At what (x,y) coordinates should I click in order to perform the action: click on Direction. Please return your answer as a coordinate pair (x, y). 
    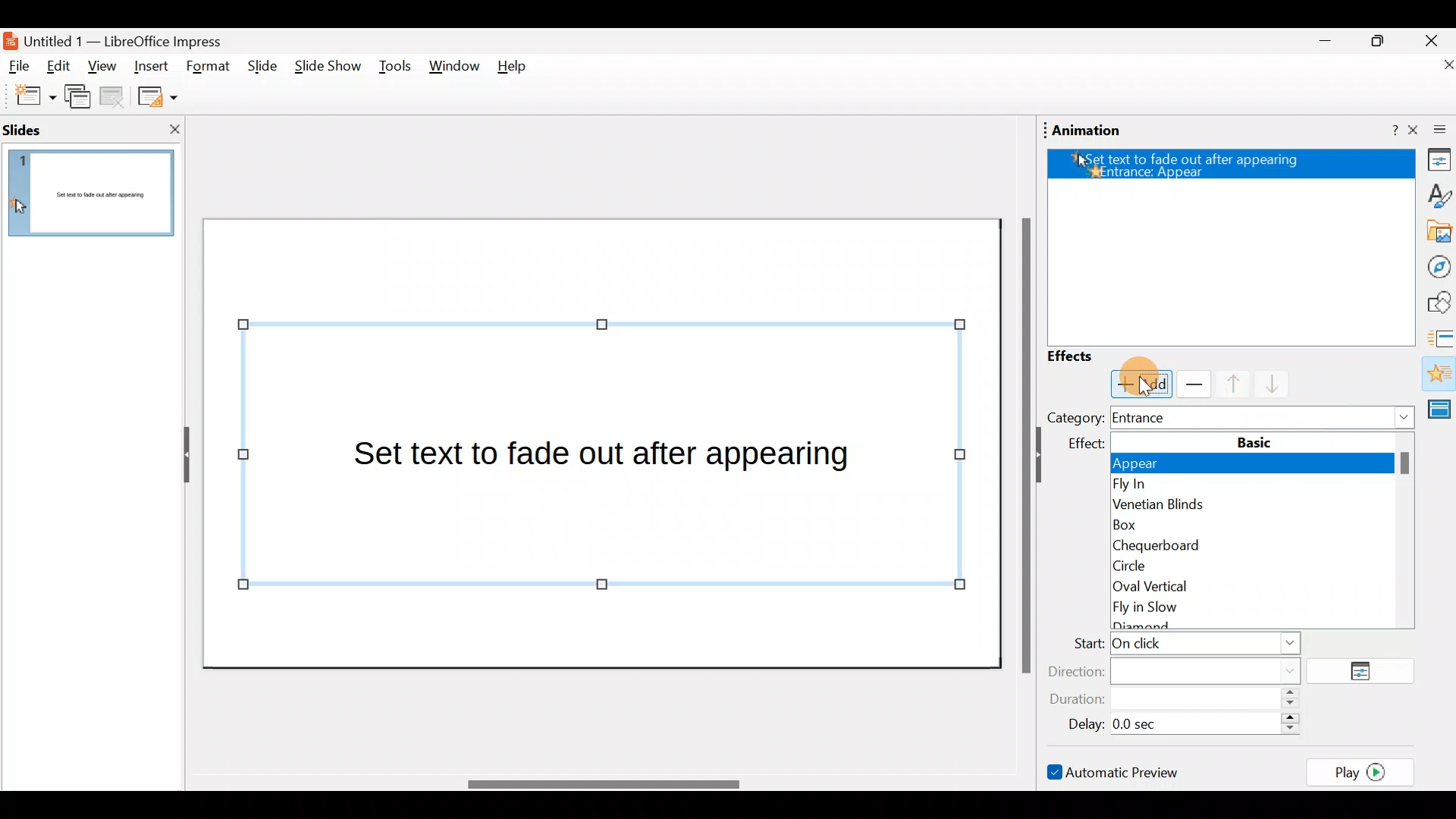
    Looking at the image, I should click on (1184, 670).